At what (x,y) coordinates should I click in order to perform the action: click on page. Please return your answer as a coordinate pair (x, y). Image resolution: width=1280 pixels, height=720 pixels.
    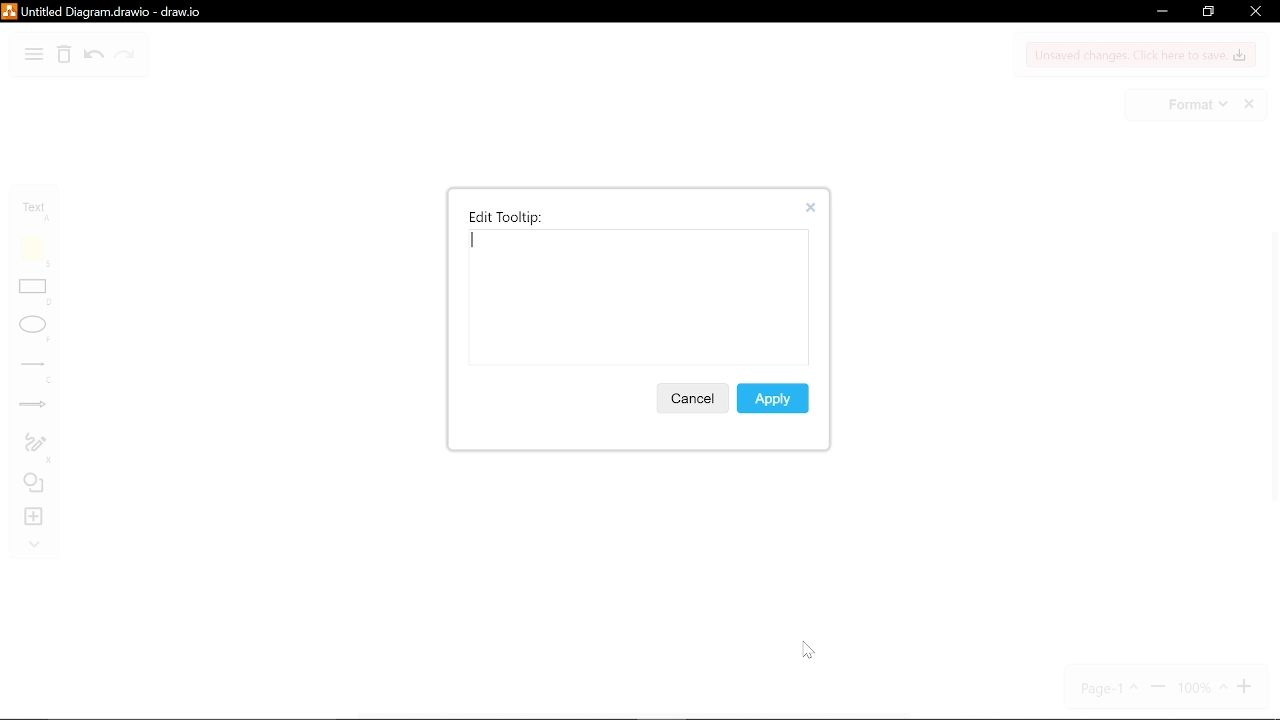
    Looking at the image, I should click on (1111, 688).